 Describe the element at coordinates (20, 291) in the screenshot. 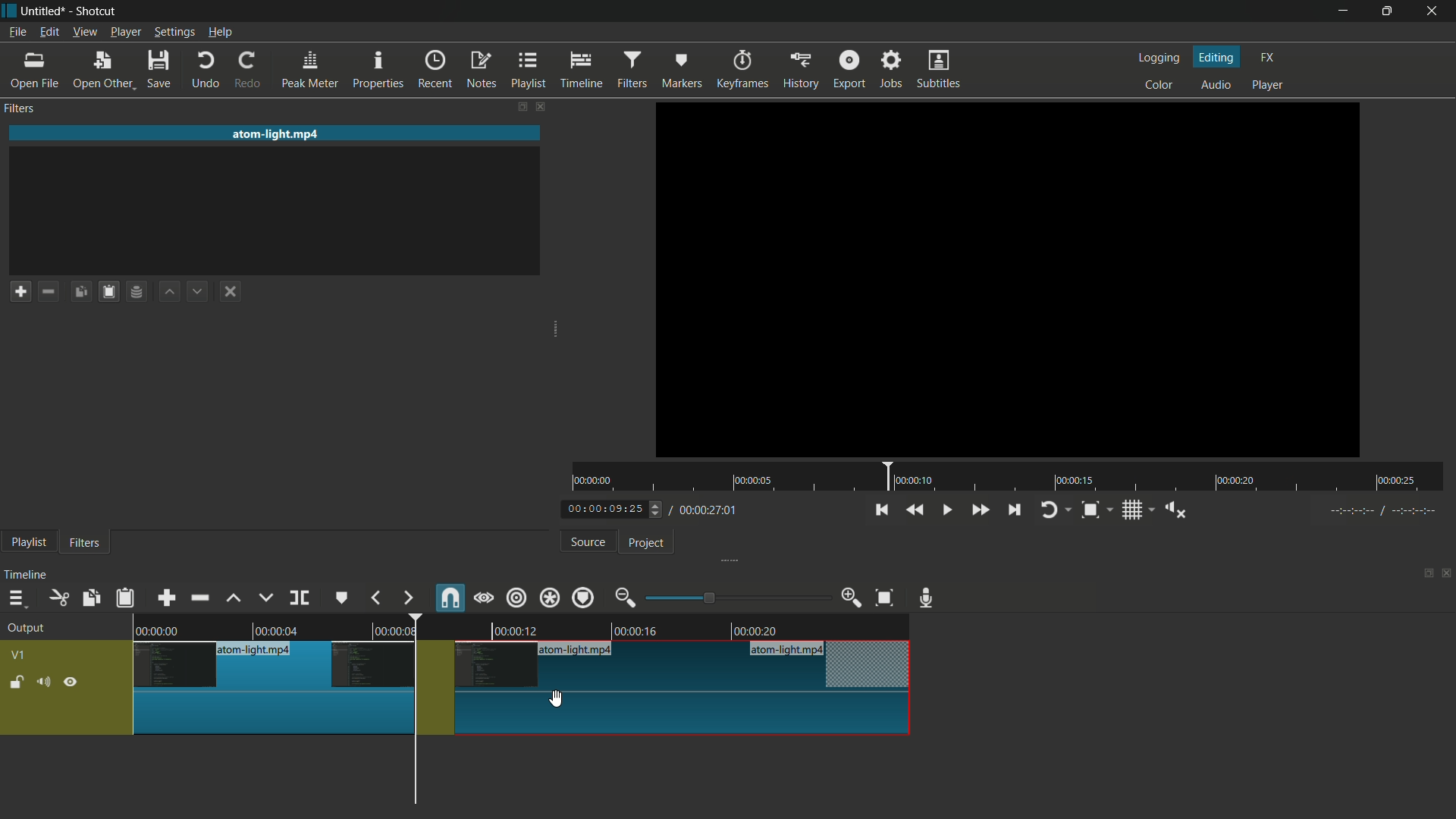

I see `add a filter` at that location.